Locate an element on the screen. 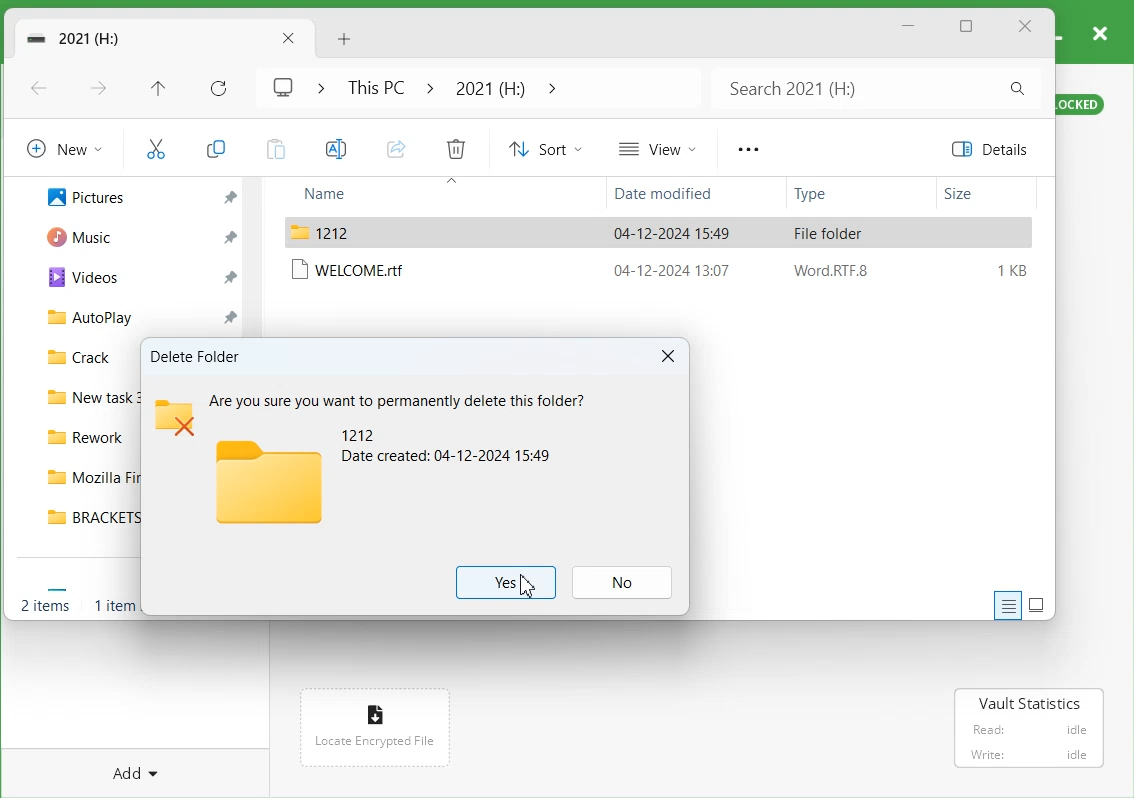 This screenshot has width=1134, height=798. Rename is located at coordinates (334, 148).